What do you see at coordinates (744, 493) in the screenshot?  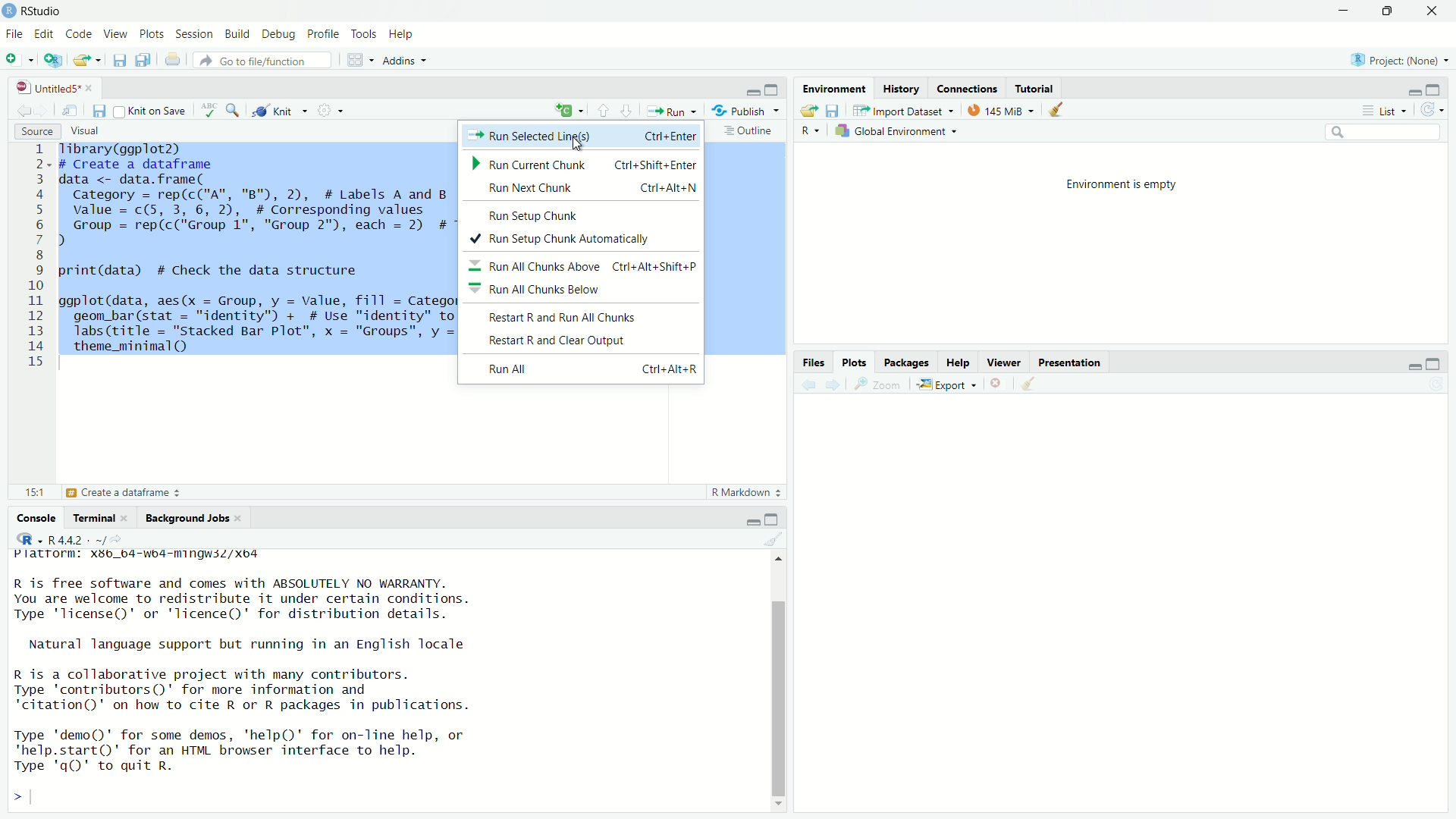 I see `R Markdown 2` at bounding box center [744, 493].